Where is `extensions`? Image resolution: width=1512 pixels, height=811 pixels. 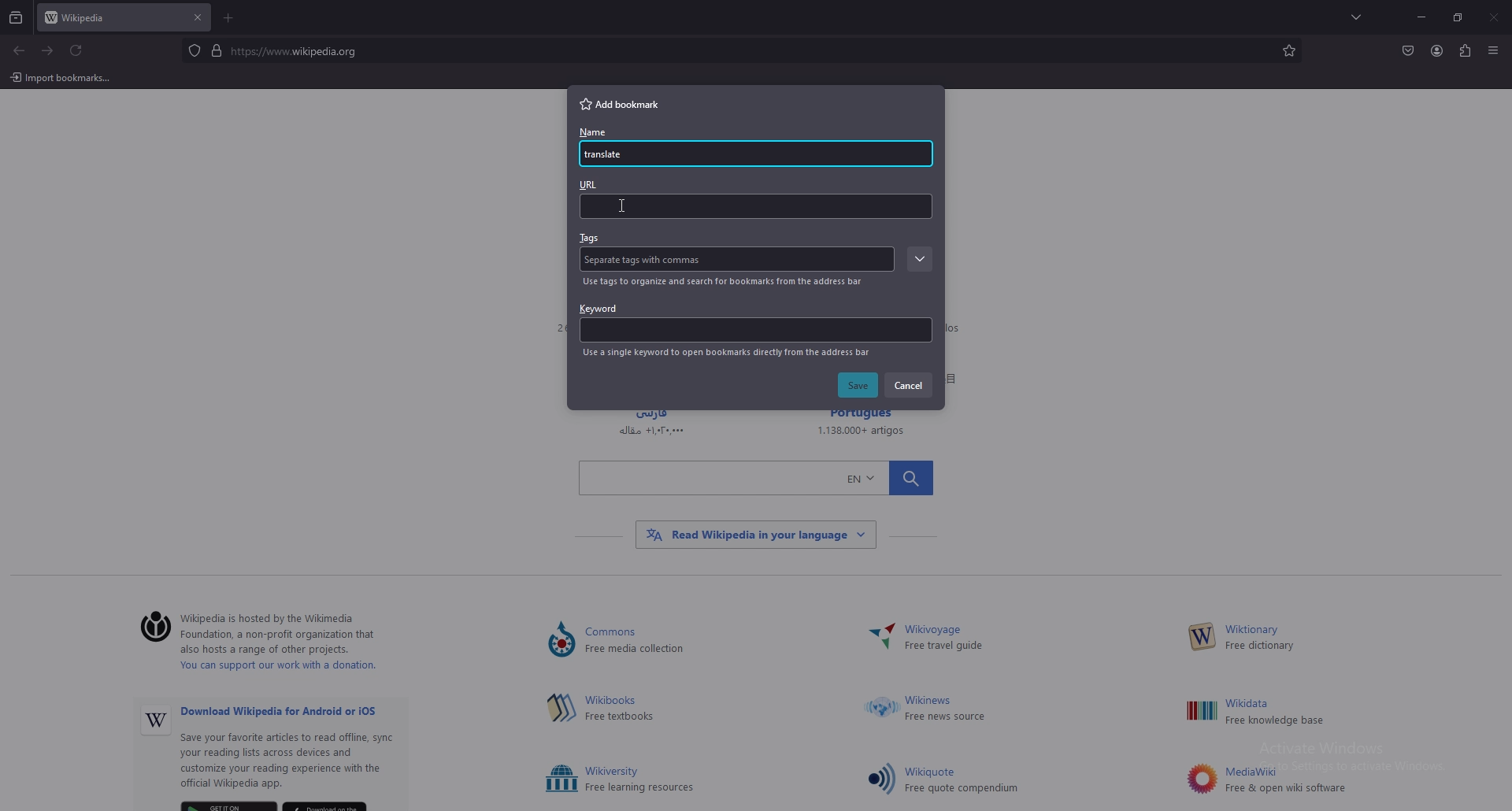
extensions is located at coordinates (1464, 52).